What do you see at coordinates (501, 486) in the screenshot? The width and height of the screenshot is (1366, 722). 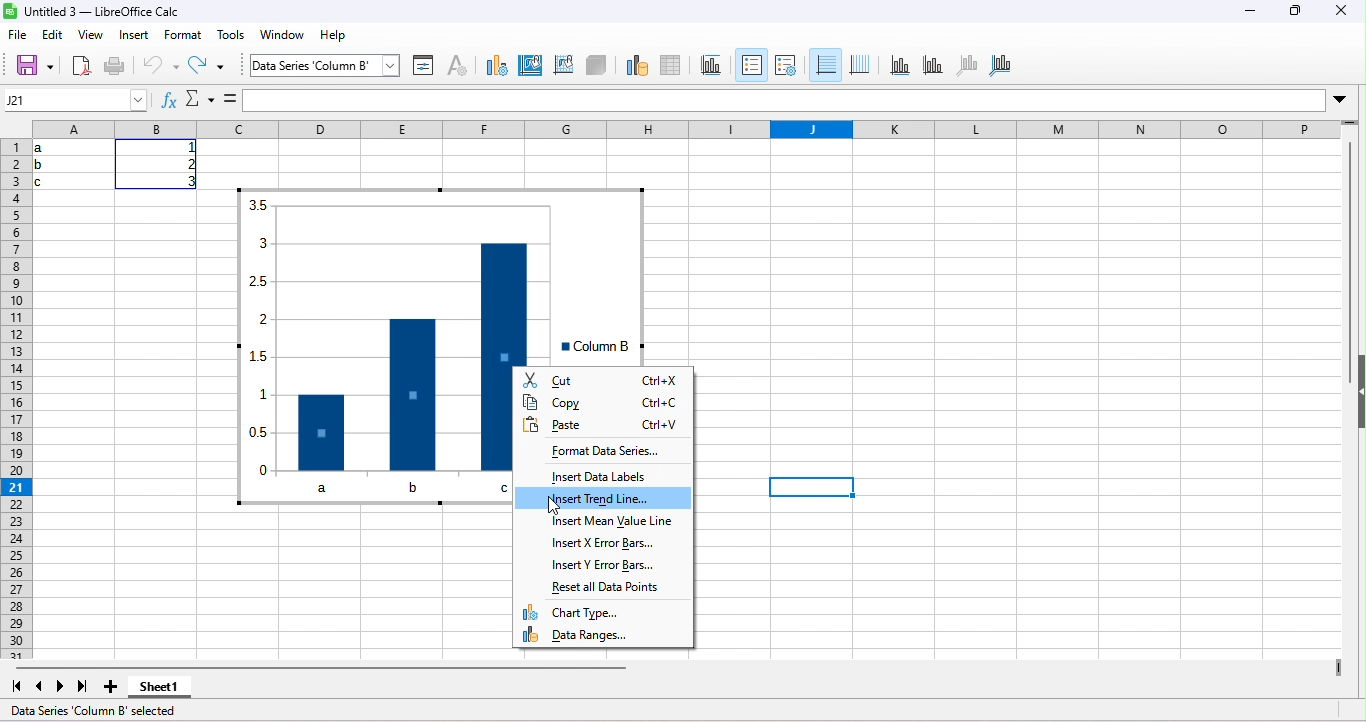 I see `c` at bounding box center [501, 486].